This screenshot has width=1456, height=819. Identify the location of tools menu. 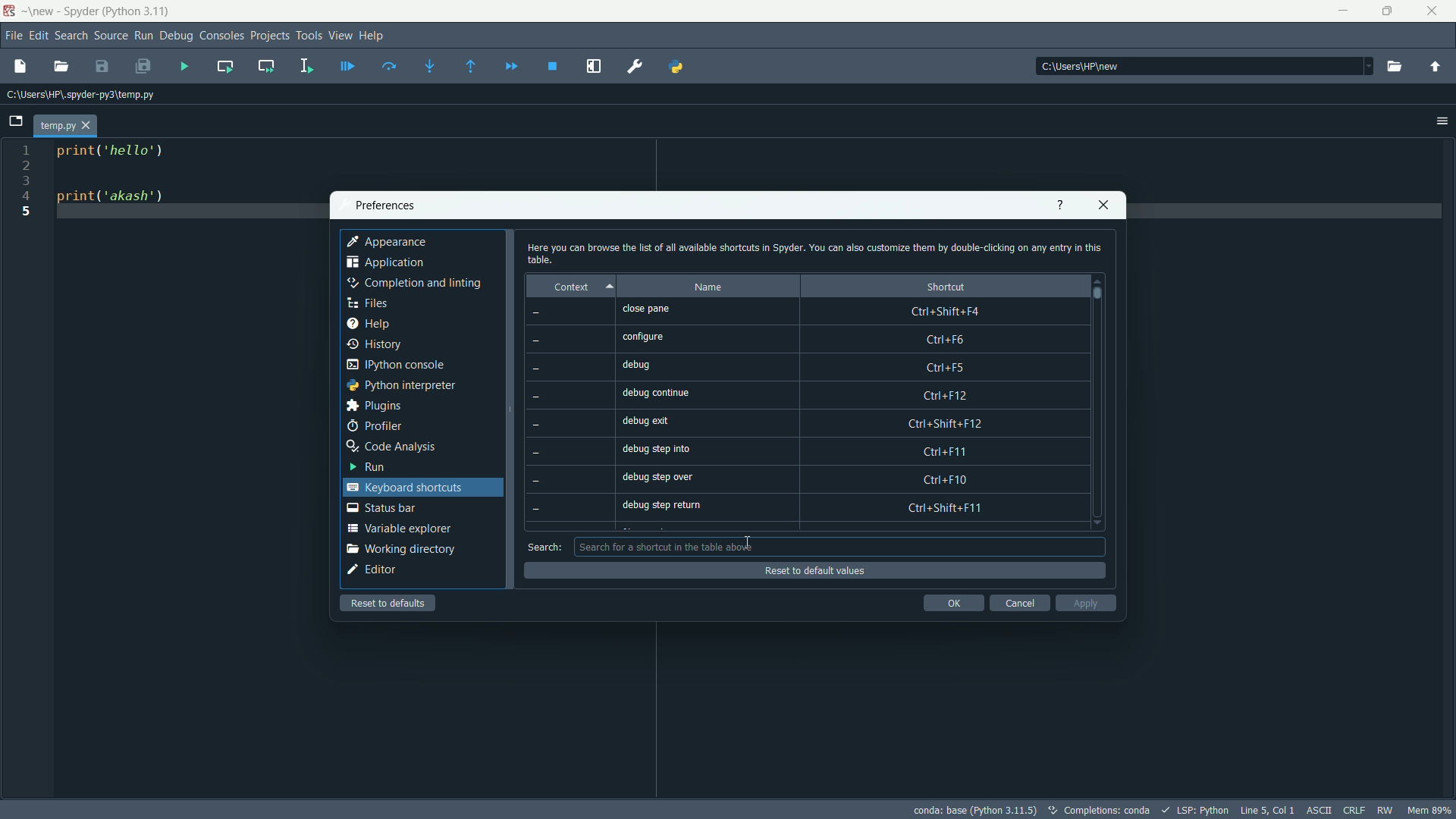
(310, 36).